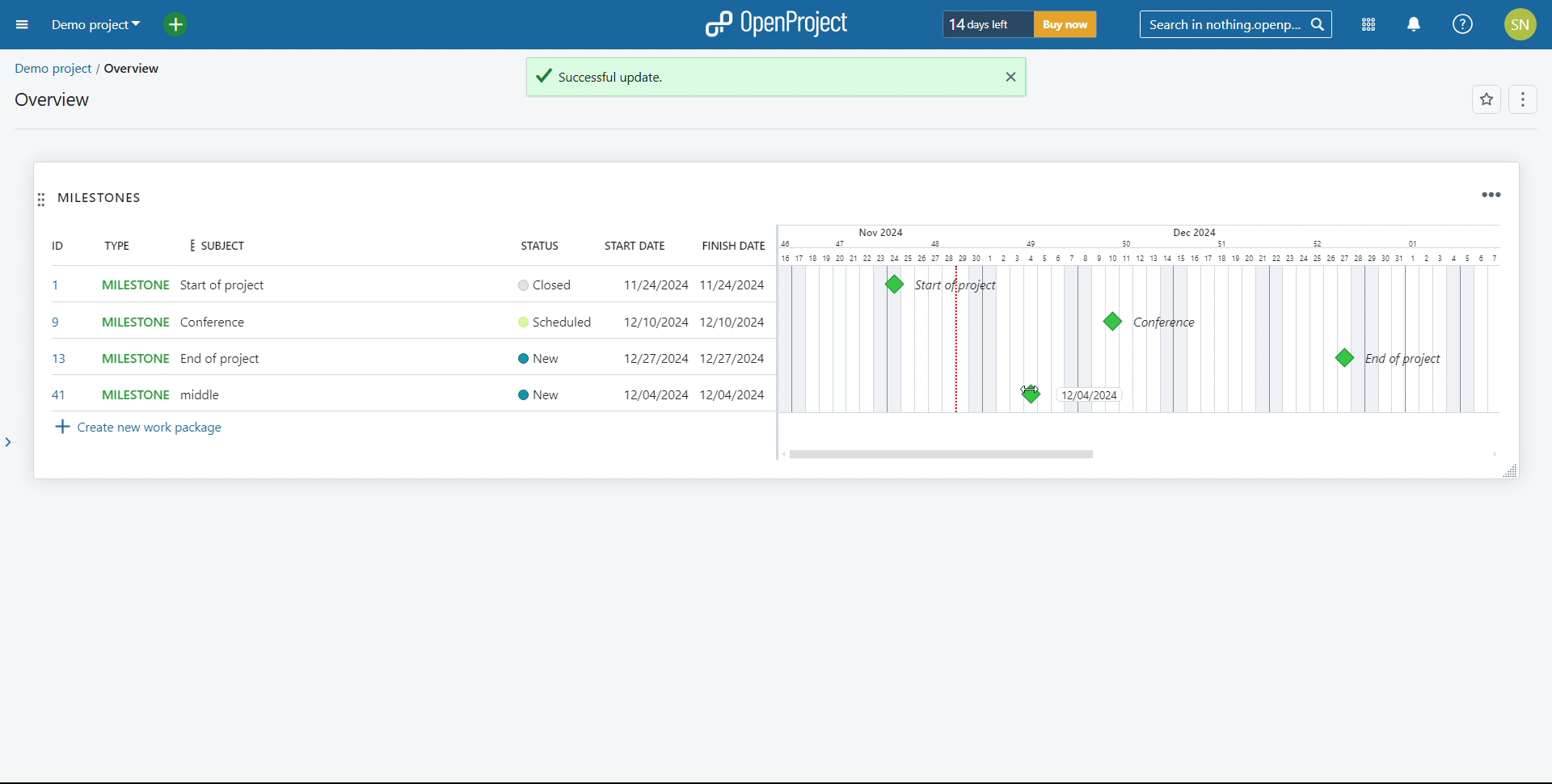  I want to click on cursor, so click(1154, 393).